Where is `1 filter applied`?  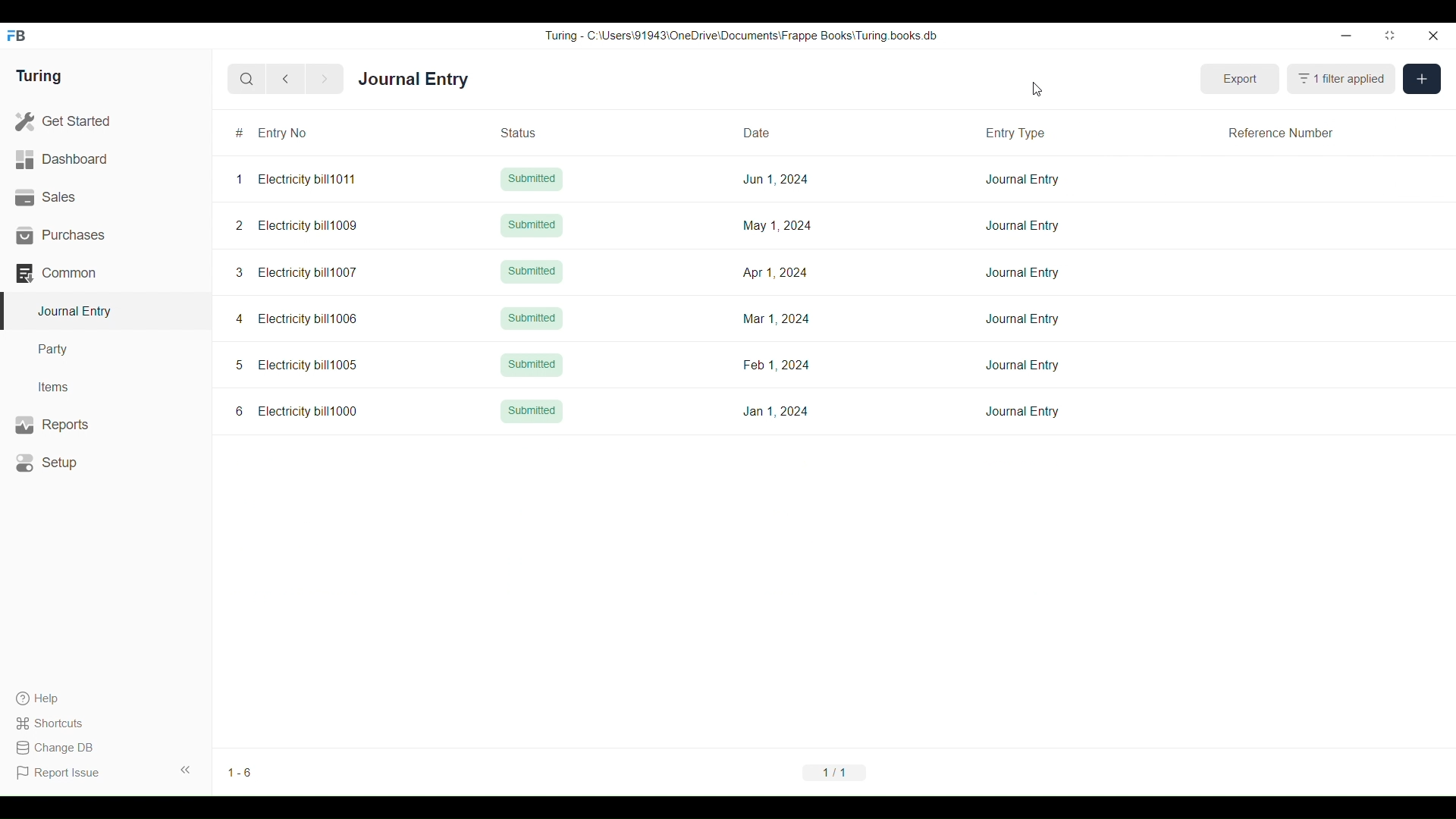
1 filter applied is located at coordinates (1341, 79).